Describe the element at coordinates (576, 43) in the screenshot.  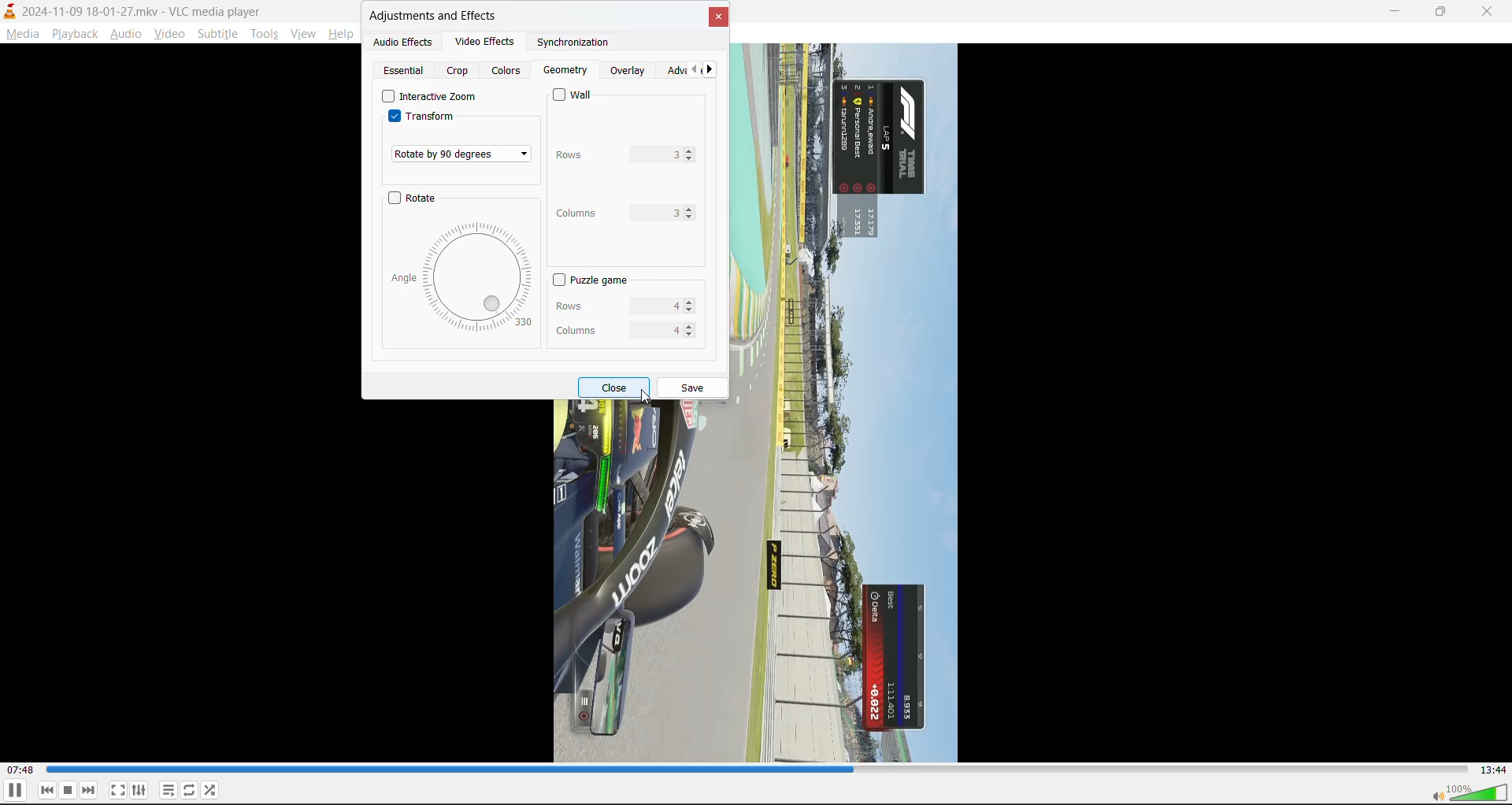
I see `synchronization` at that location.